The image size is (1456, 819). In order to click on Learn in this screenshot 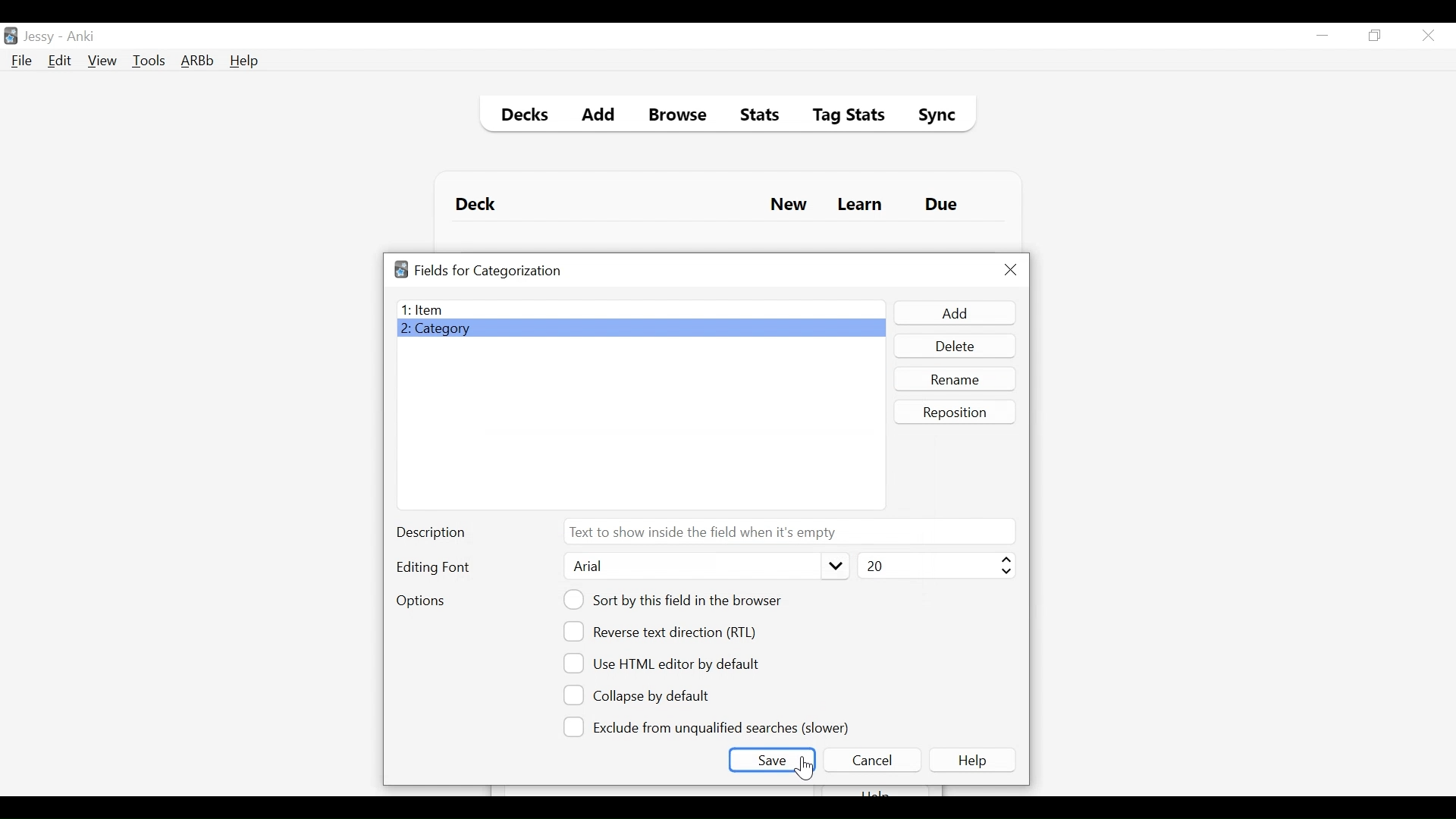, I will do `click(859, 206)`.